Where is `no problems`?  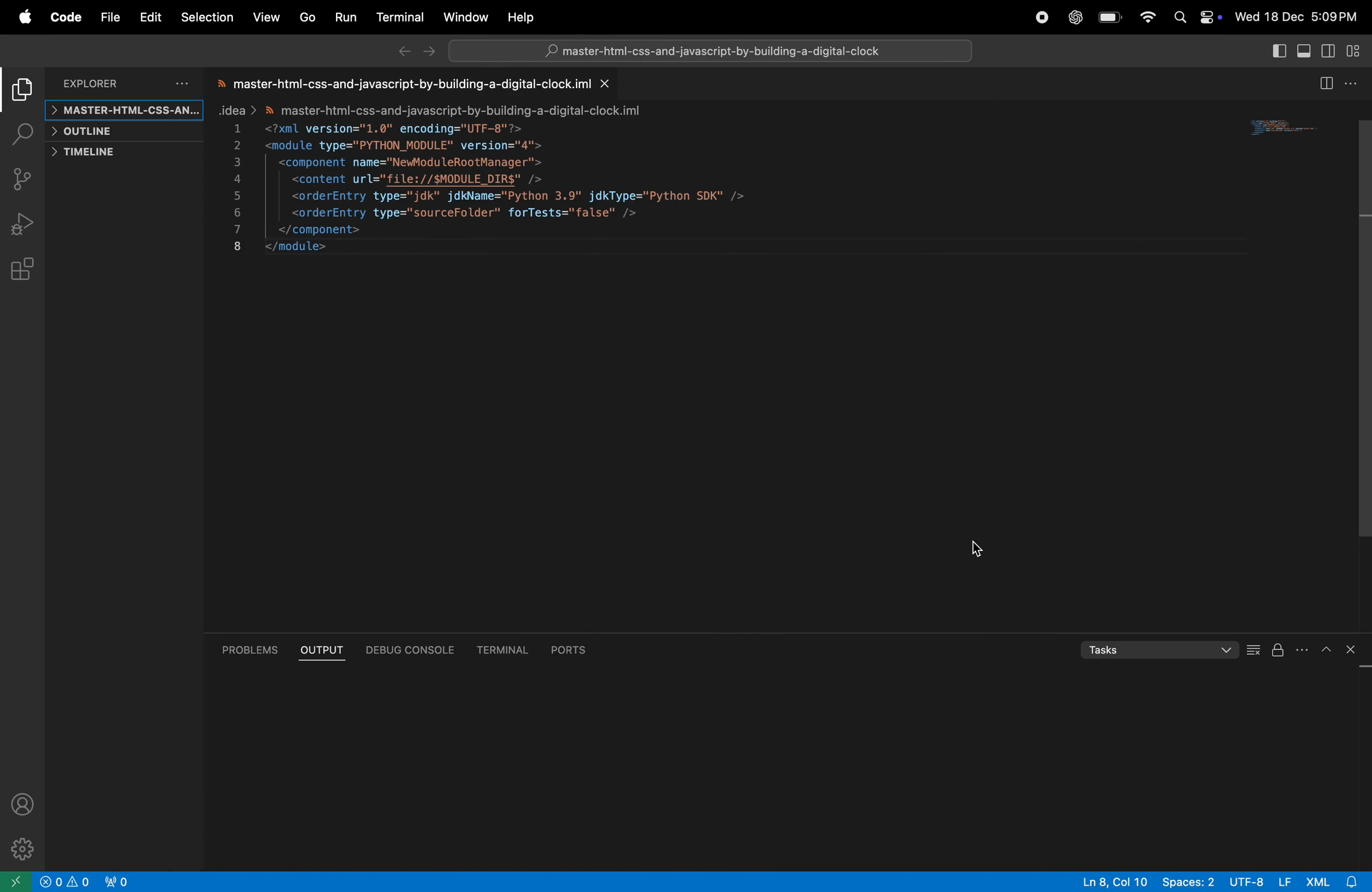
no problems is located at coordinates (66, 882).